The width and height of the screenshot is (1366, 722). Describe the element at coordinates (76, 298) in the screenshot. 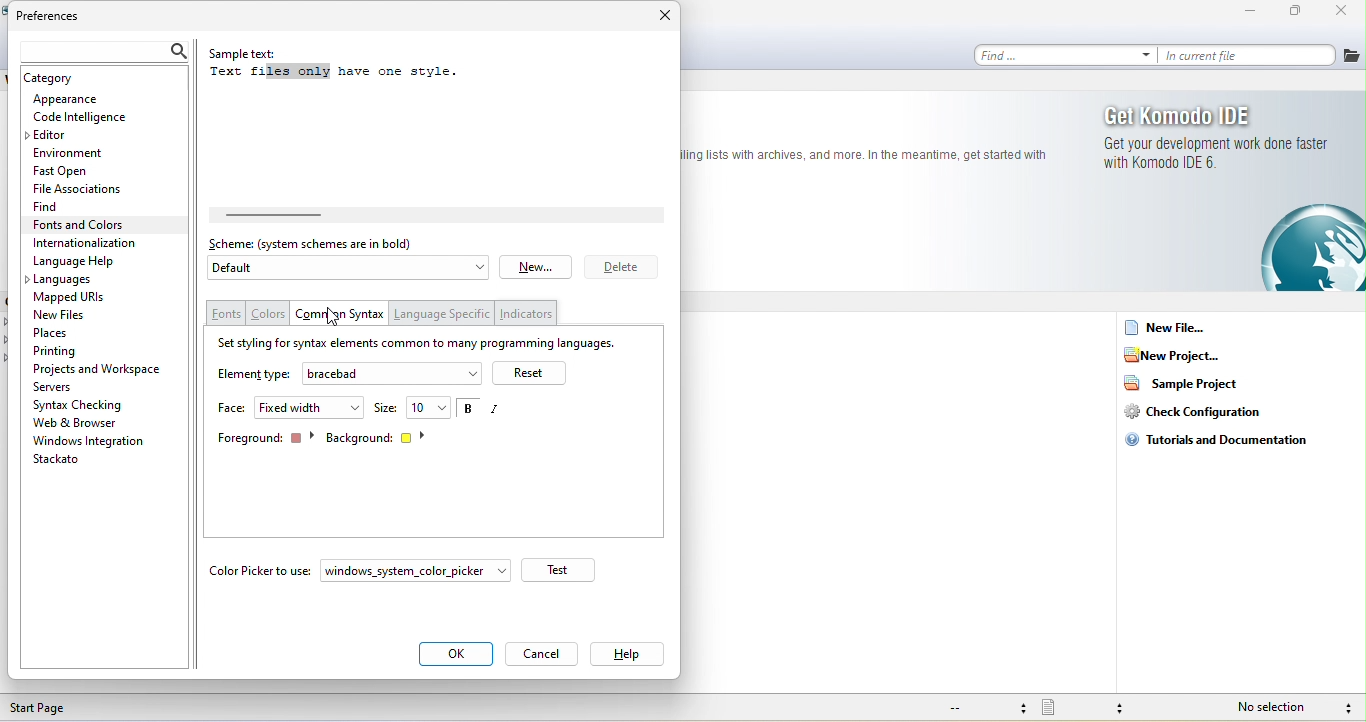

I see `mapped urls` at that location.